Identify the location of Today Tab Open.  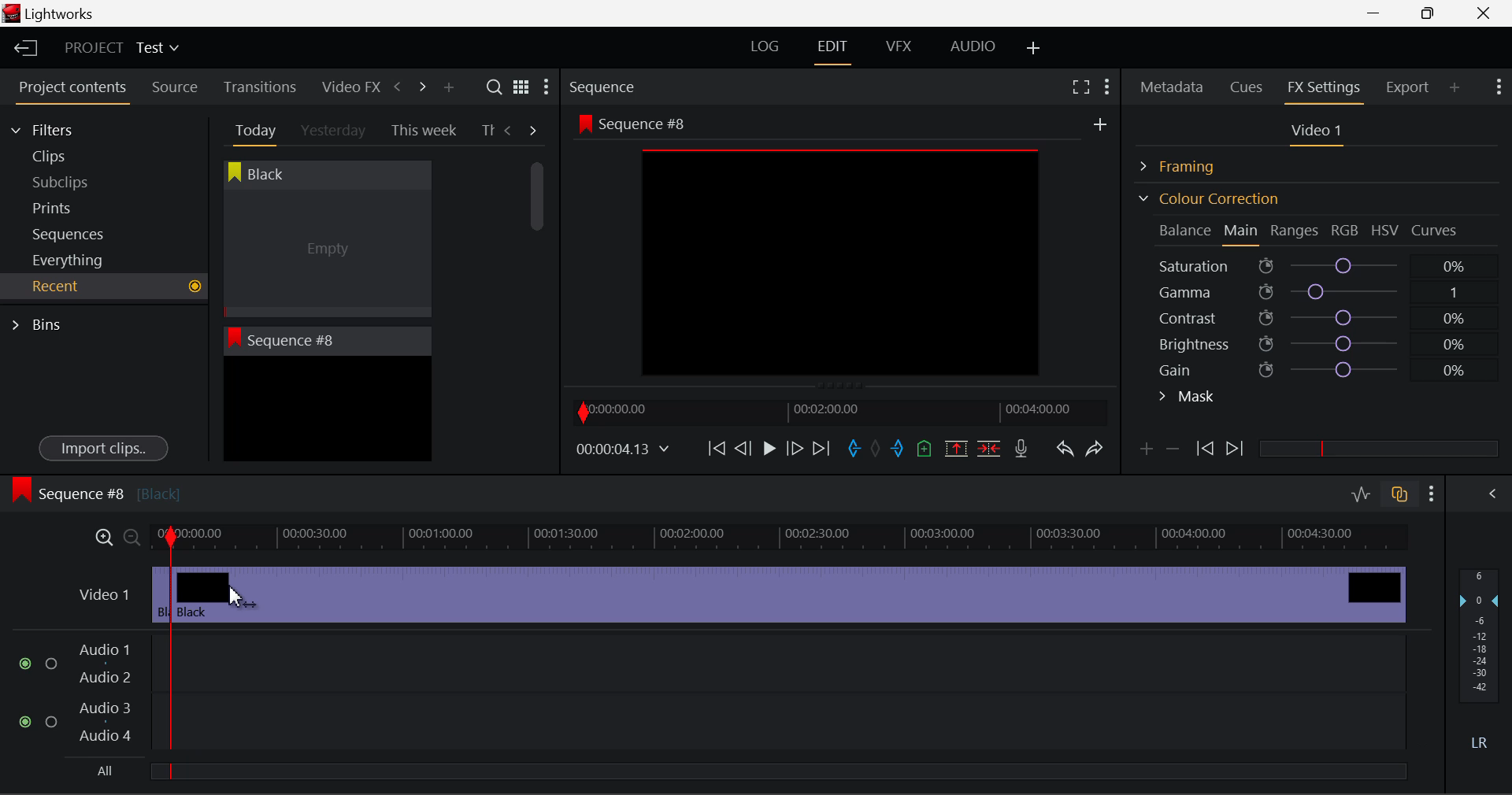
(252, 130).